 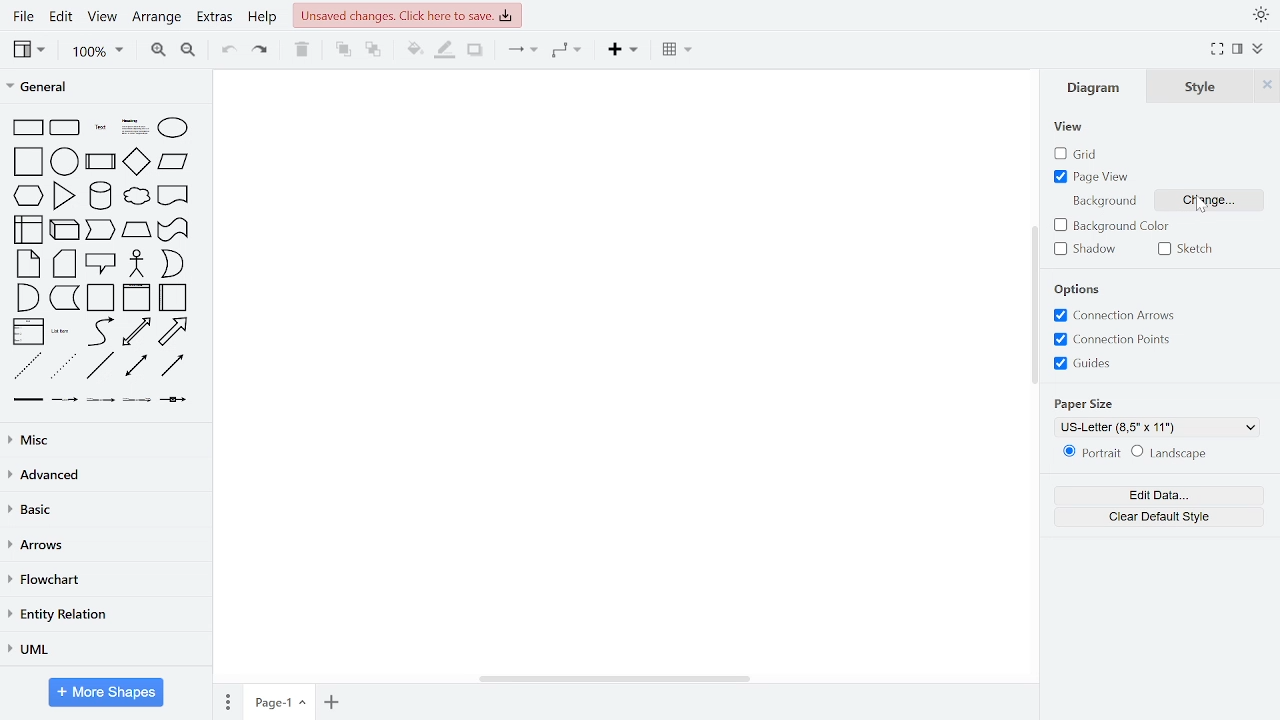 I want to click on zoom in, so click(x=157, y=51).